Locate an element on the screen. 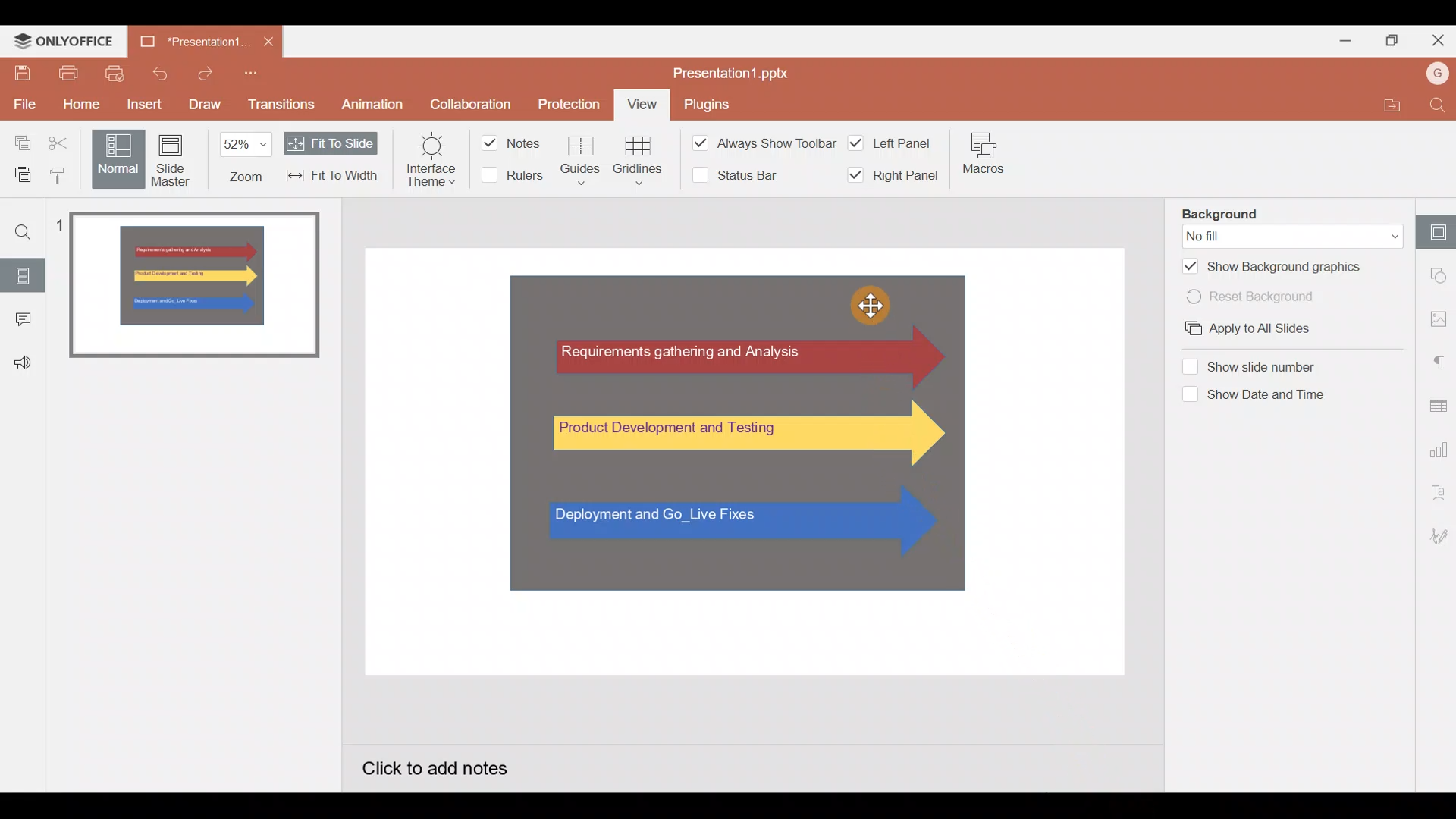 This screenshot has height=819, width=1456. Home is located at coordinates (74, 105).